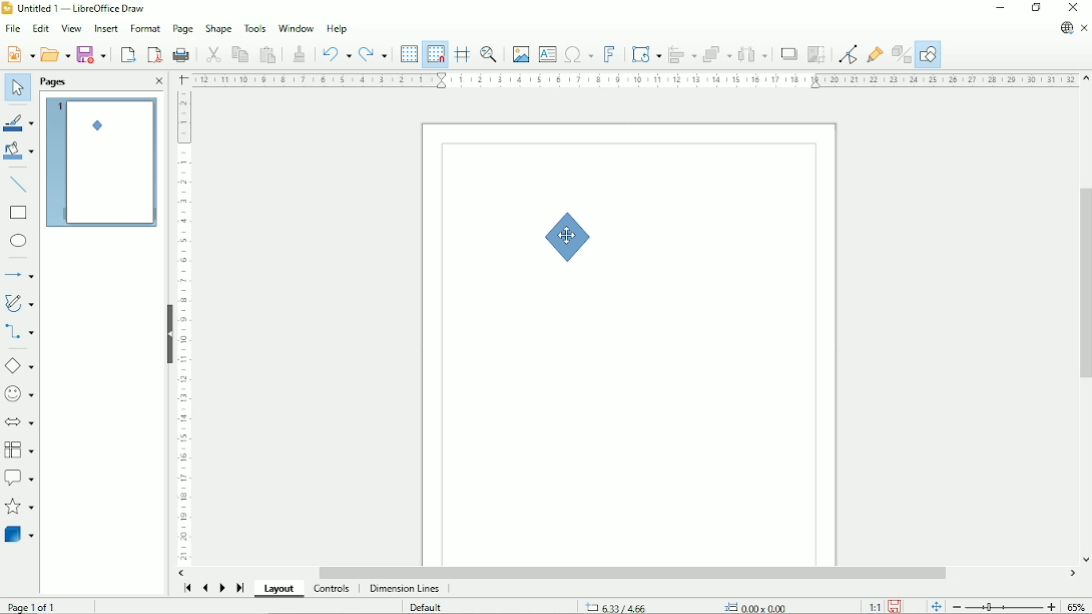 Image resolution: width=1092 pixels, height=614 pixels. I want to click on Close, so click(160, 81).